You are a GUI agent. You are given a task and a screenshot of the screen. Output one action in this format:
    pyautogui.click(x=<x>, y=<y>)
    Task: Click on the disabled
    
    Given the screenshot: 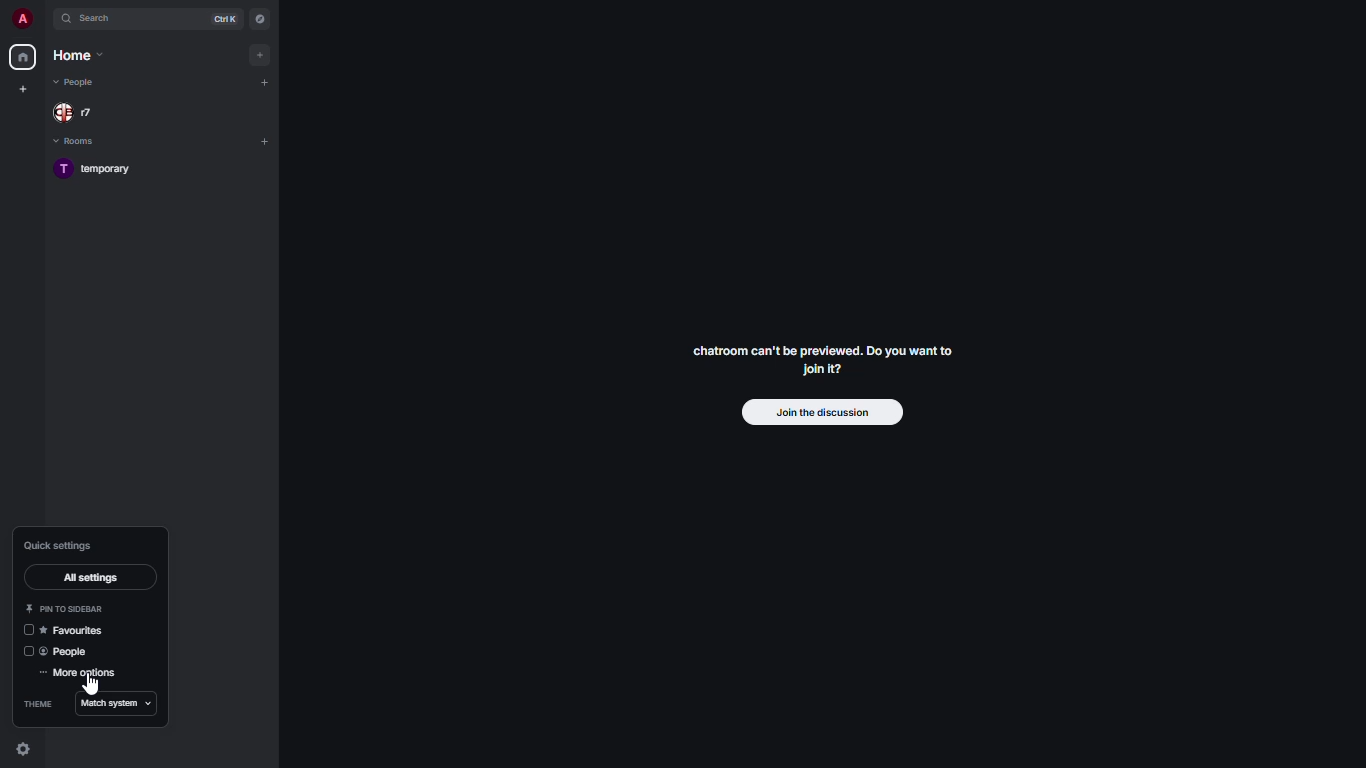 What is the action you would take?
    pyautogui.click(x=23, y=651)
    